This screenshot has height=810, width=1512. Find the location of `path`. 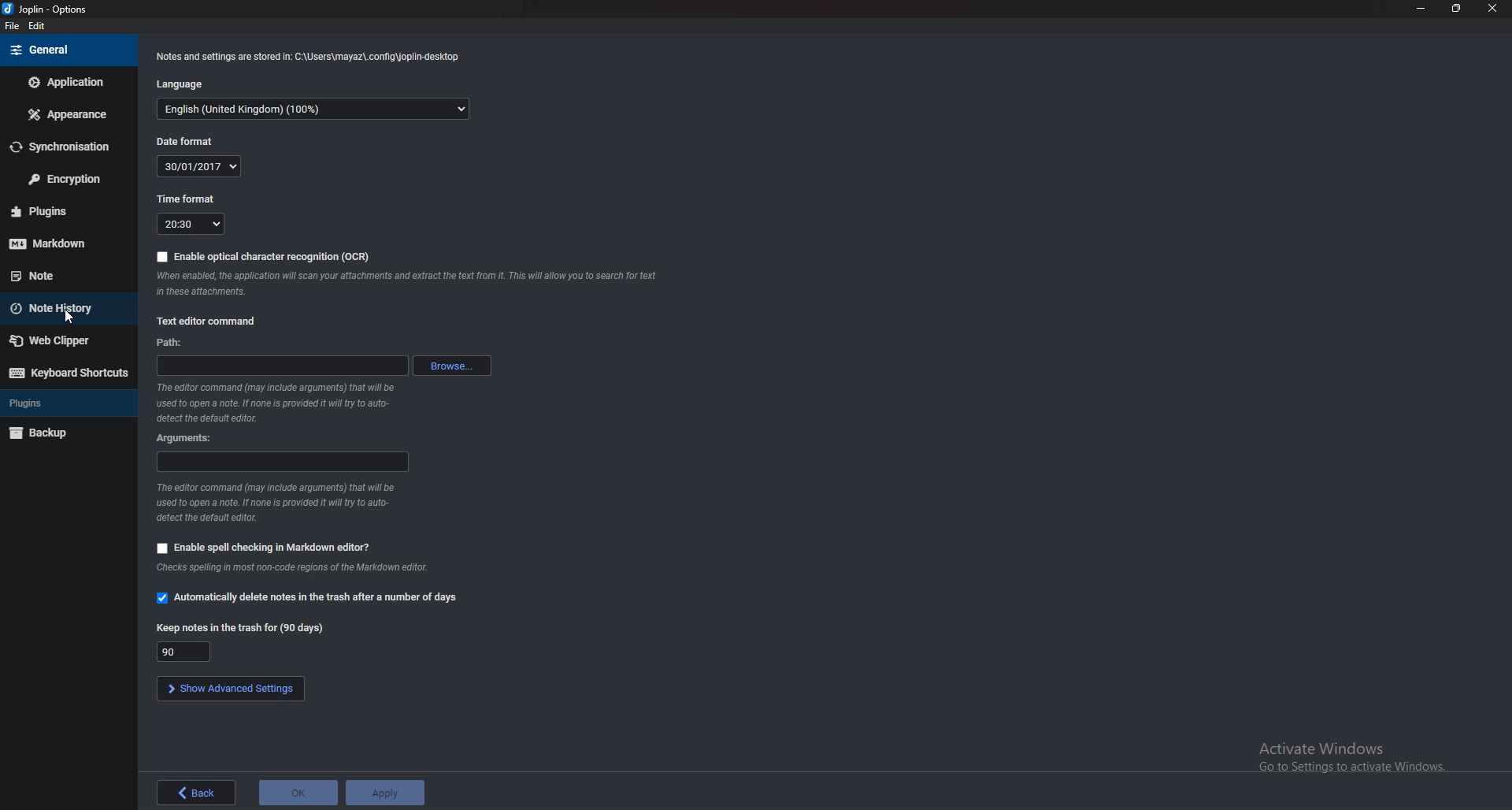

path is located at coordinates (281, 367).